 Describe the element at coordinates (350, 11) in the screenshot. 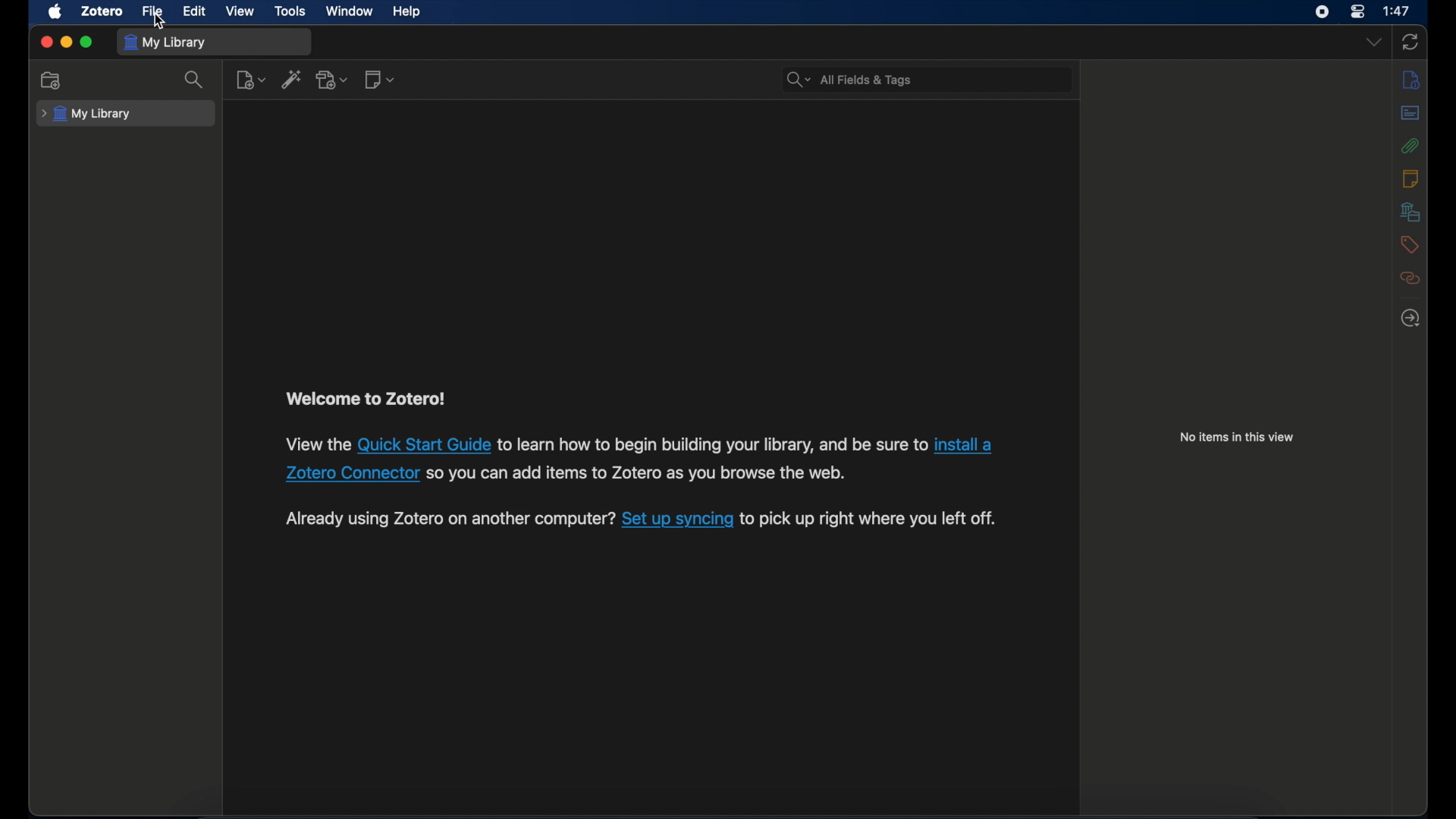

I see `window` at that location.